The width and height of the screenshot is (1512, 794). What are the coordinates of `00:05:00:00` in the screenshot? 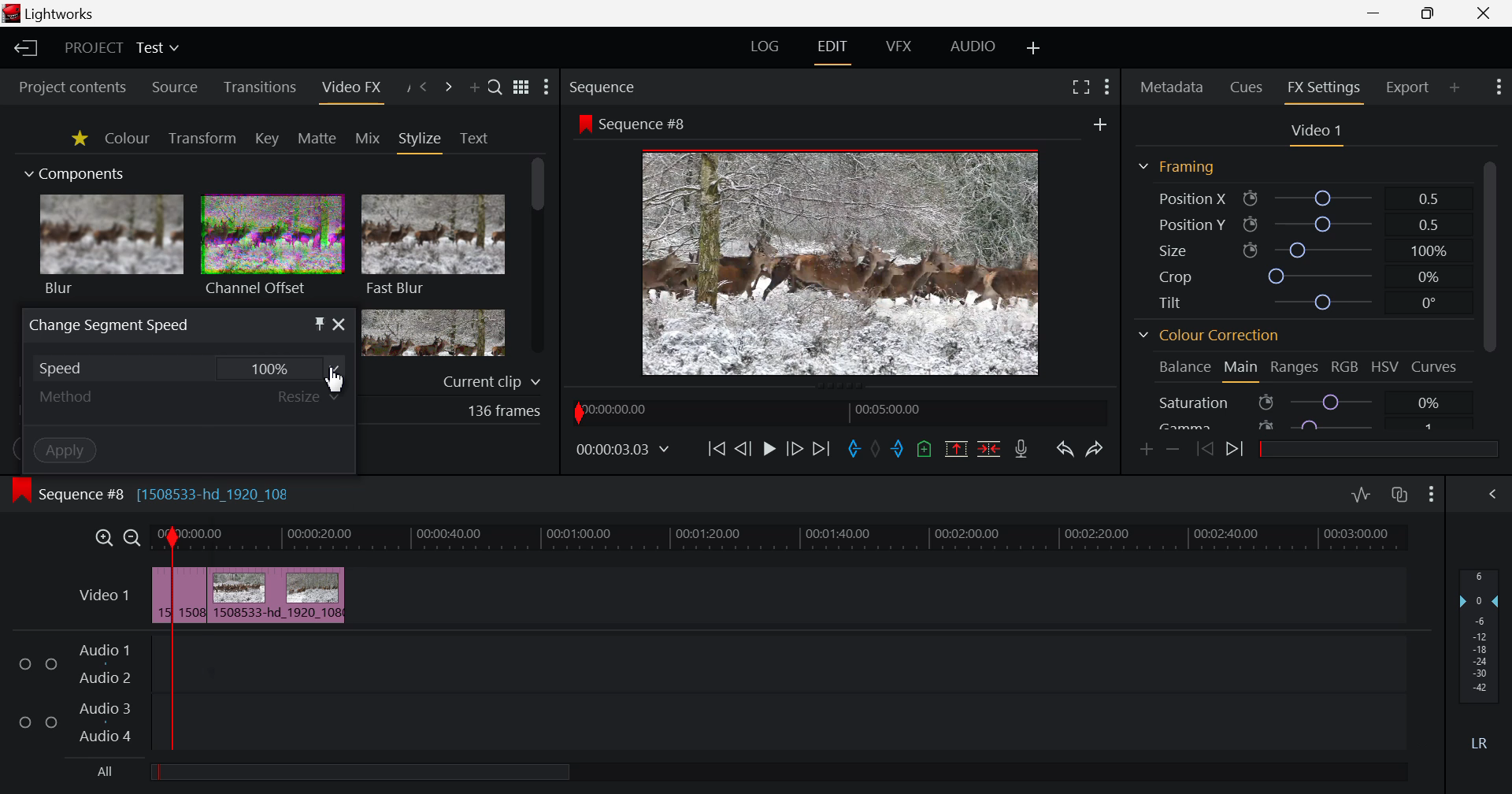 It's located at (888, 408).